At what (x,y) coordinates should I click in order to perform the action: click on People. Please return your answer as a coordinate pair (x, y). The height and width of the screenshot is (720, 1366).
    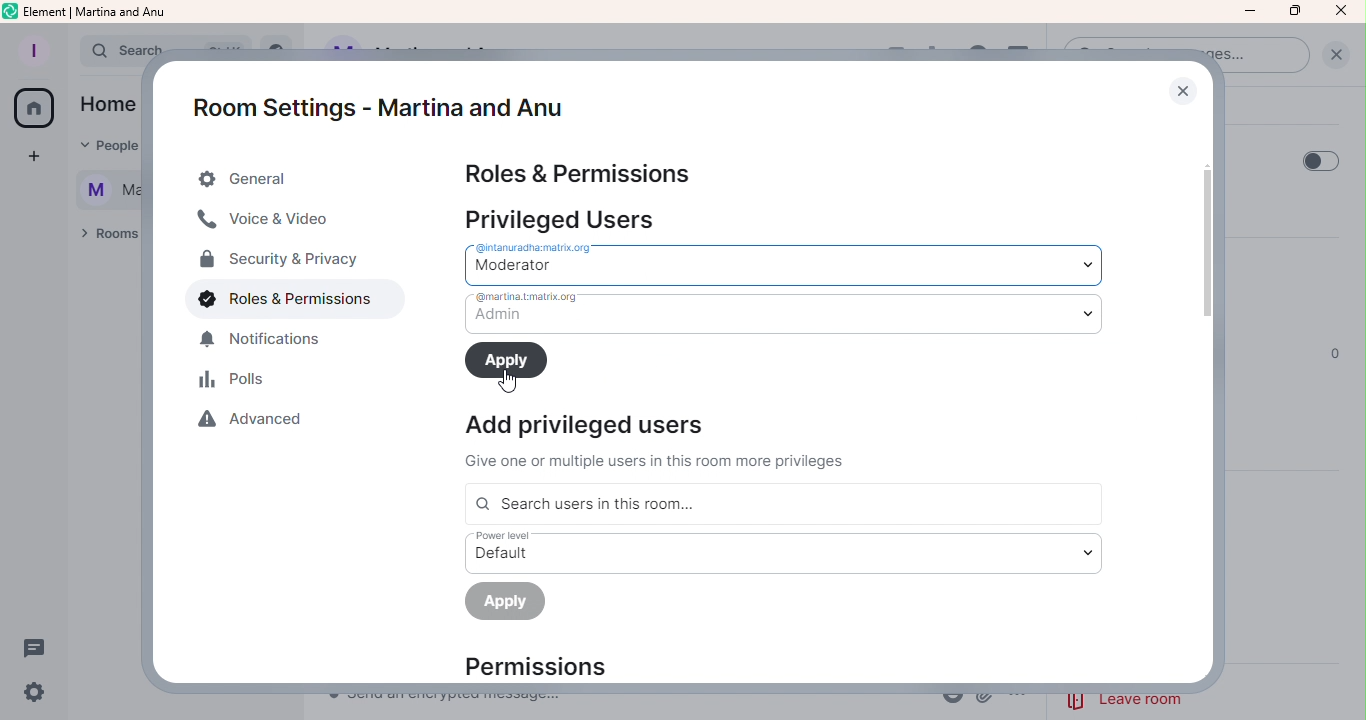
    Looking at the image, I should click on (108, 147).